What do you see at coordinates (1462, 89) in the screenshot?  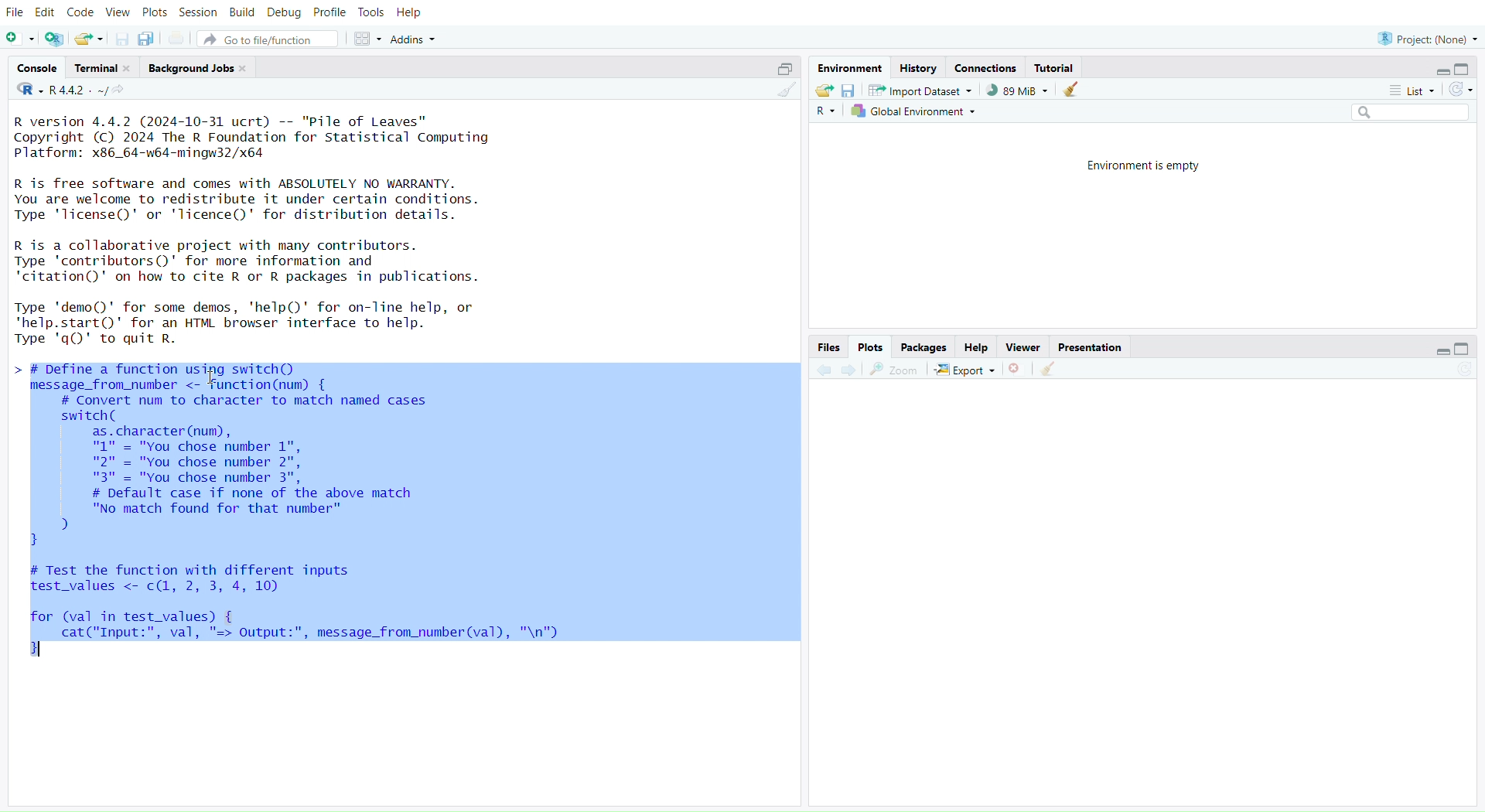 I see `Refresh the list of objects in the environment` at bounding box center [1462, 89].